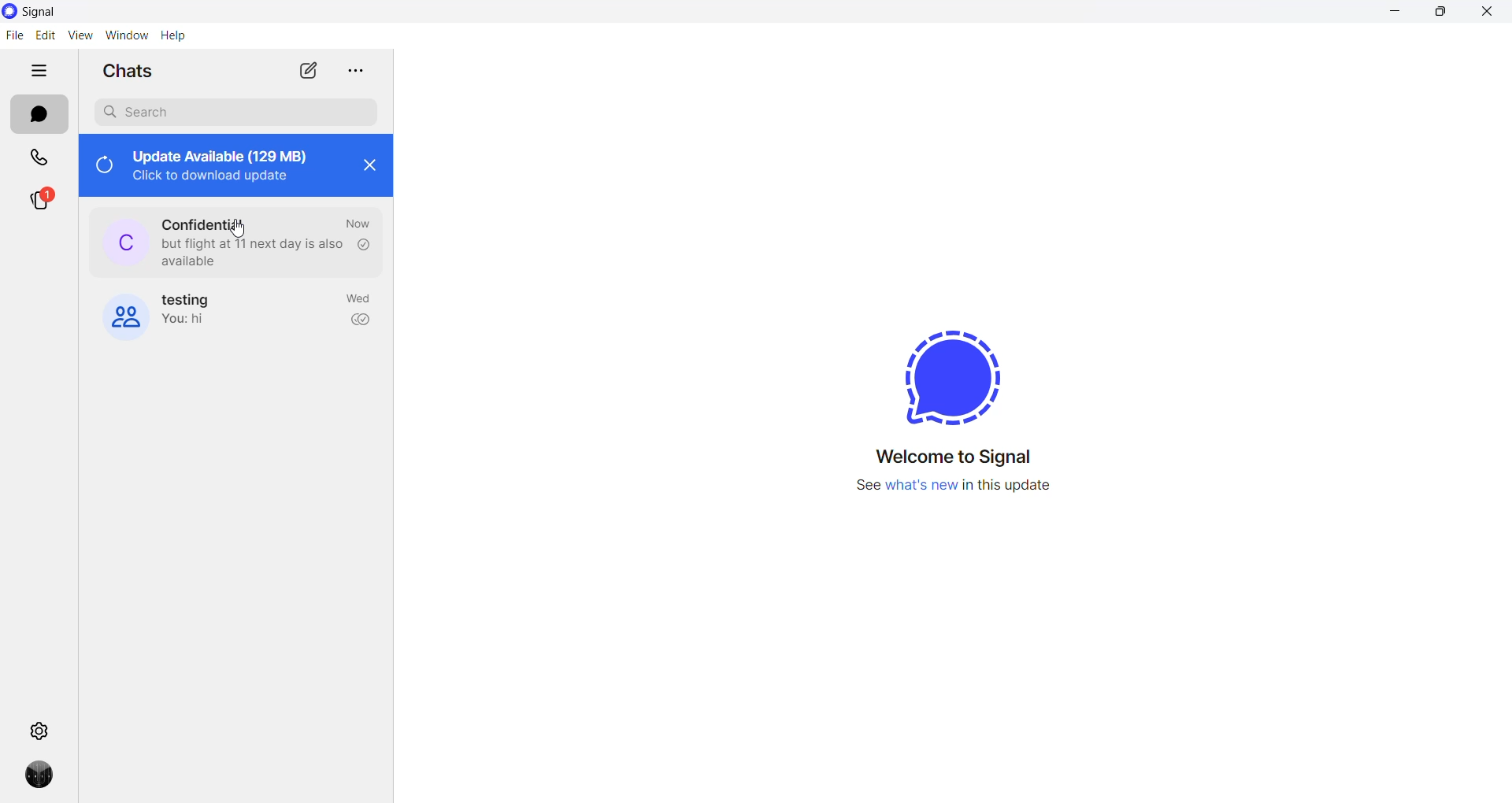 Image resolution: width=1512 pixels, height=803 pixels. What do you see at coordinates (251, 251) in the screenshot?
I see `last message` at bounding box center [251, 251].